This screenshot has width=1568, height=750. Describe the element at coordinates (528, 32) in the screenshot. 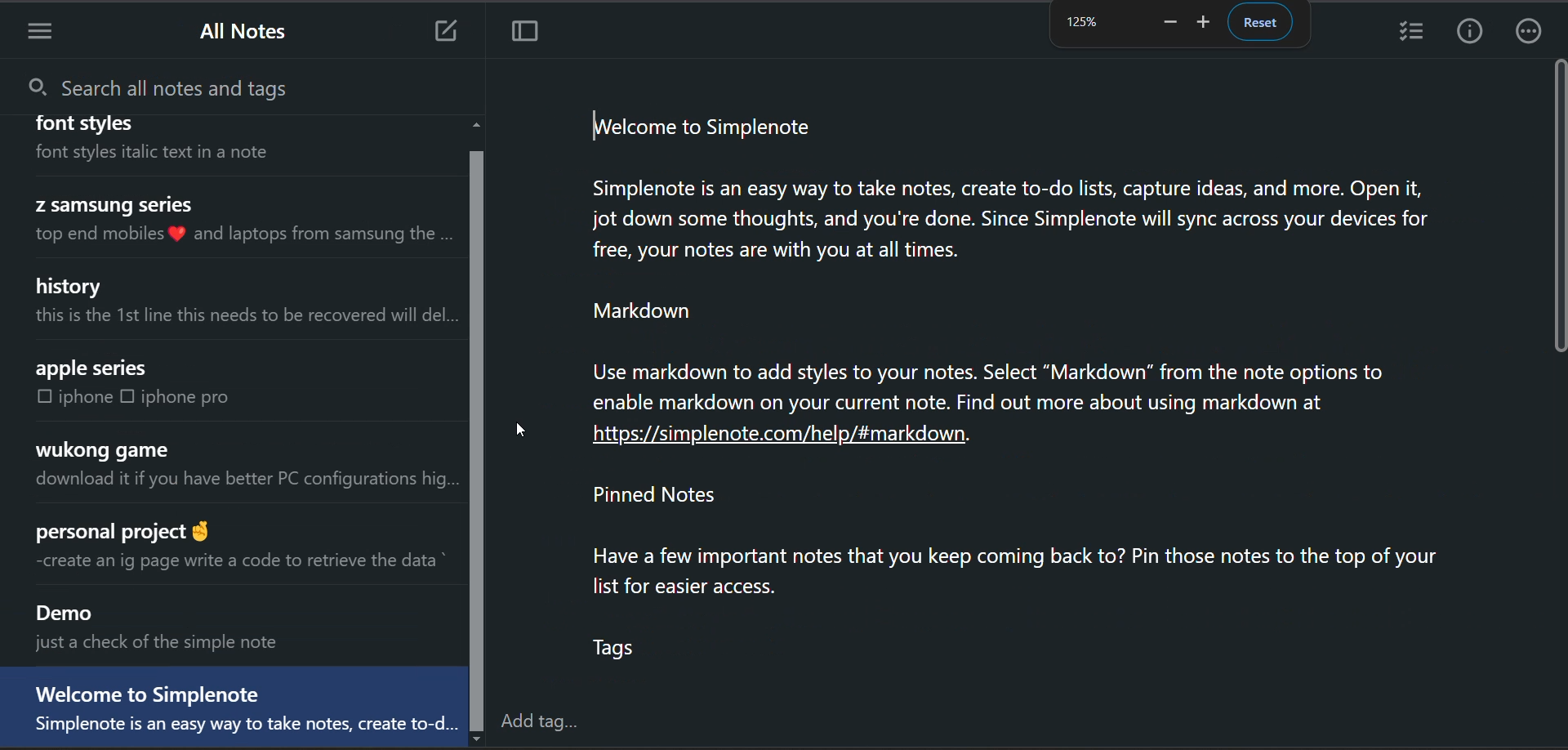

I see `toggle focus mode` at that location.